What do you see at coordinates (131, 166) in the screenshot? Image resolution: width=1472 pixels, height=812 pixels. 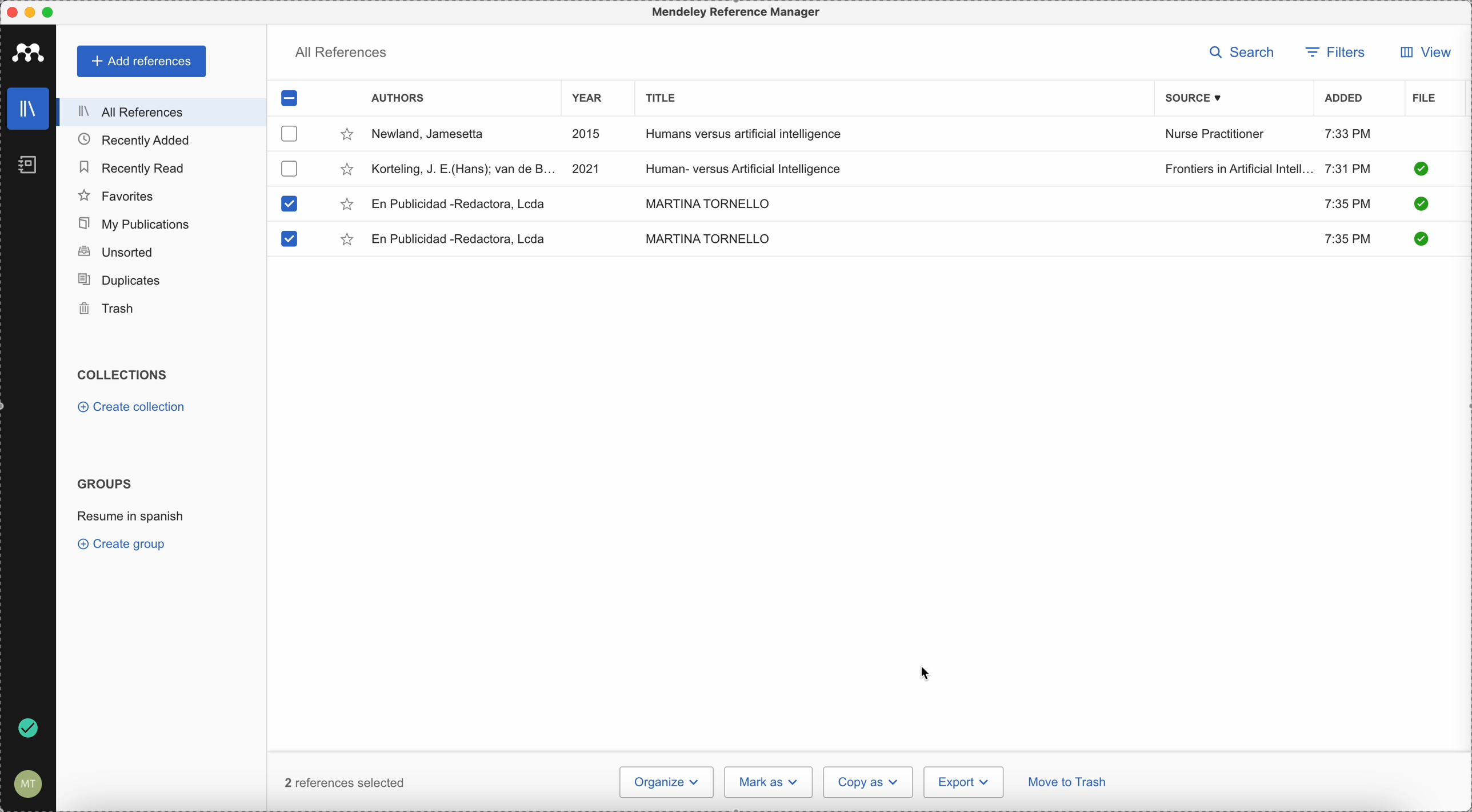 I see `recently read` at bounding box center [131, 166].